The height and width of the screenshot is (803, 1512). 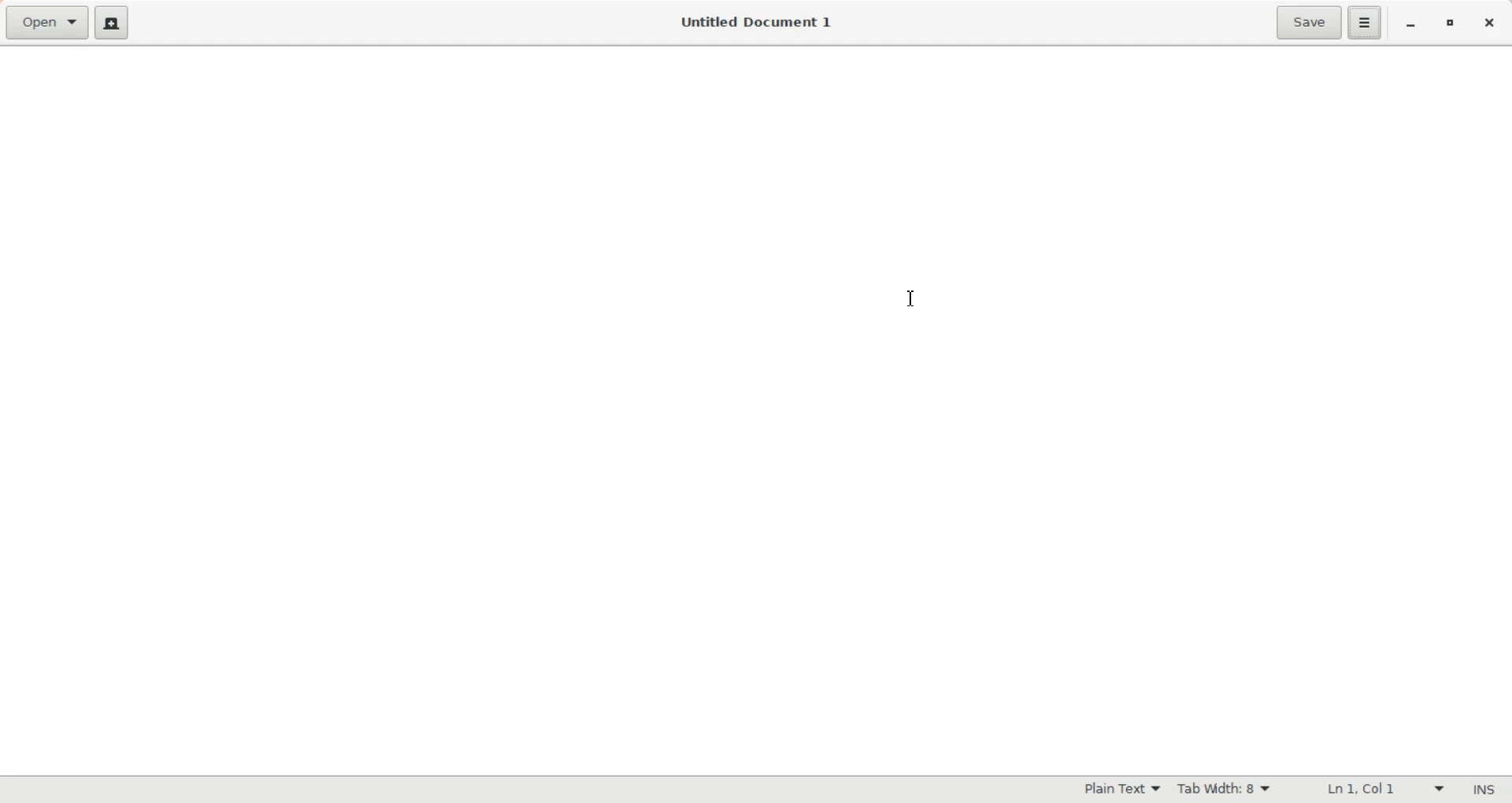 I want to click on Tab width, so click(x=1225, y=789).